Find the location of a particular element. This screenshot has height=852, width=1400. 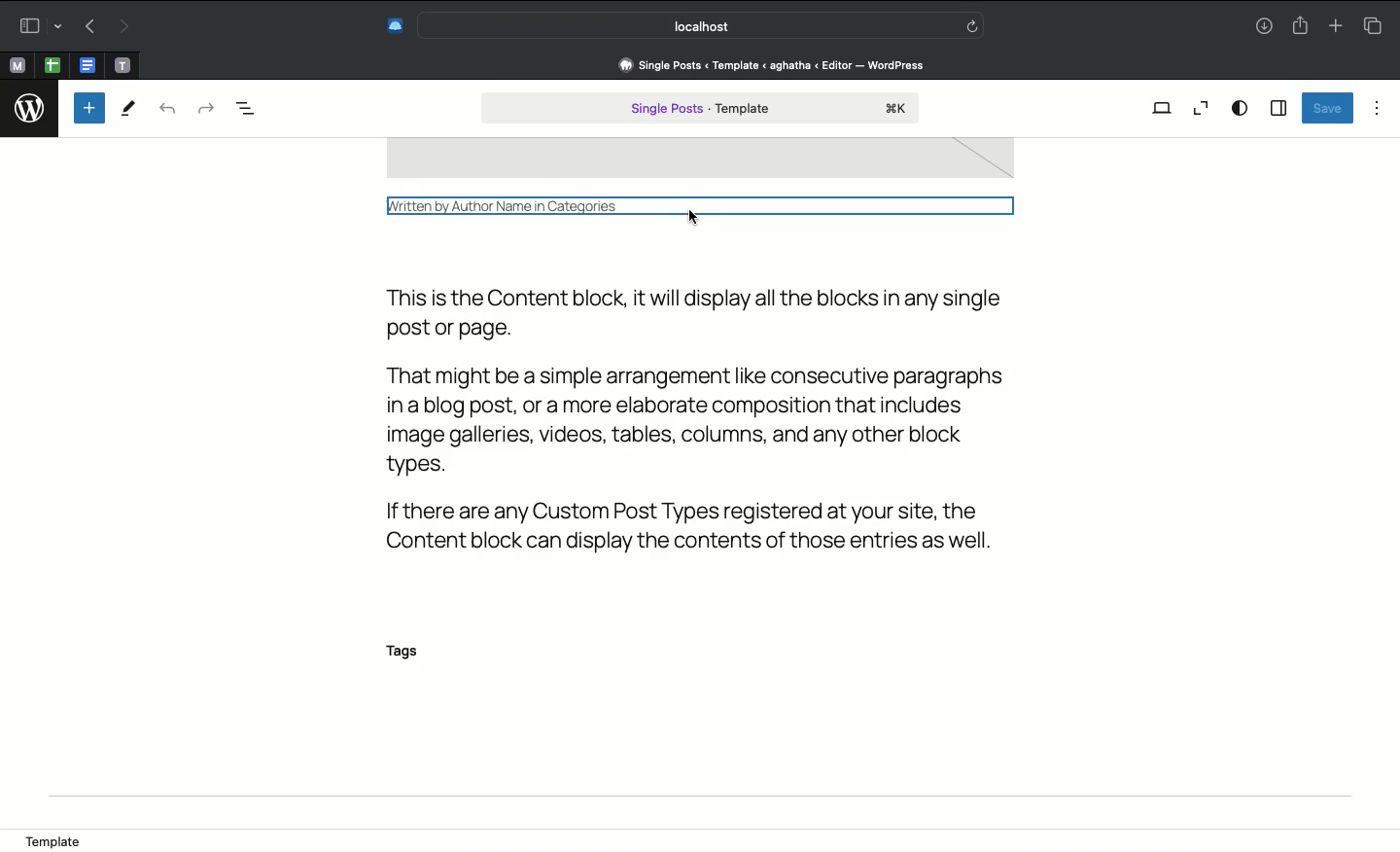

Share is located at coordinates (1300, 26).